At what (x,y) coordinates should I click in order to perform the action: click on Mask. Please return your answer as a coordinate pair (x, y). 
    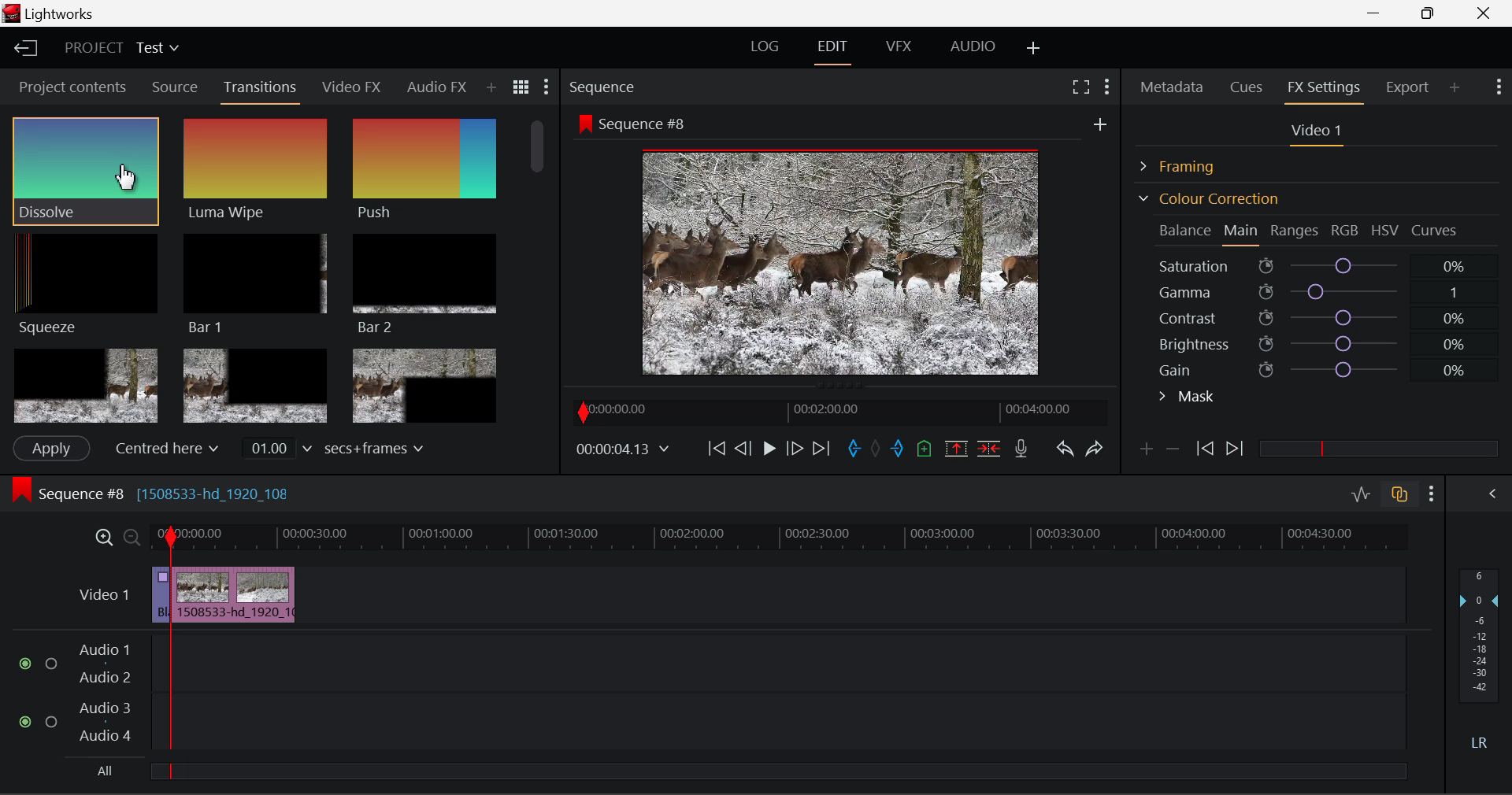
    Looking at the image, I should click on (1188, 398).